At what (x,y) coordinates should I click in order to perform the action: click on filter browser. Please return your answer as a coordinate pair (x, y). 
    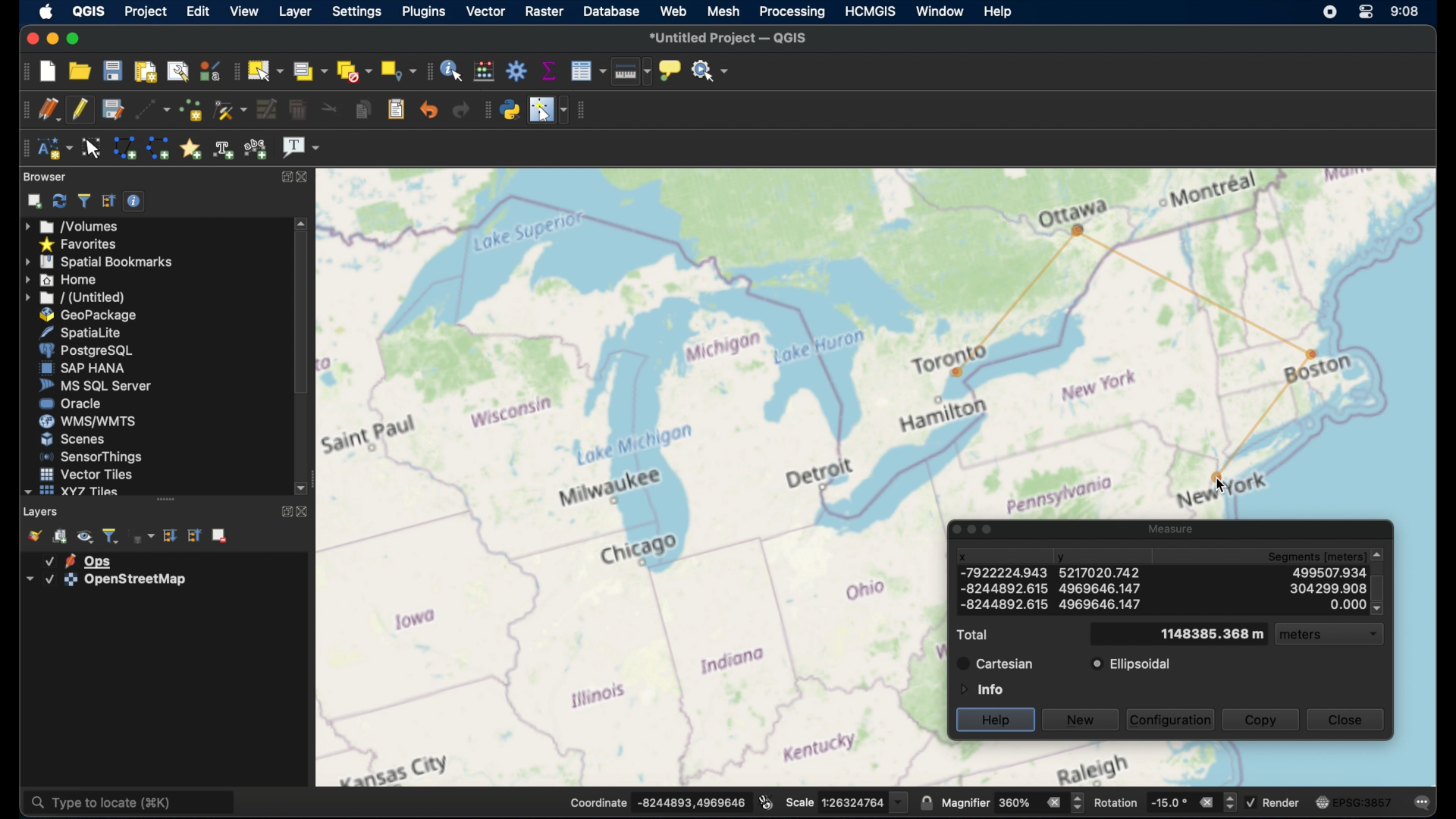
    Looking at the image, I should click on (83, 200).